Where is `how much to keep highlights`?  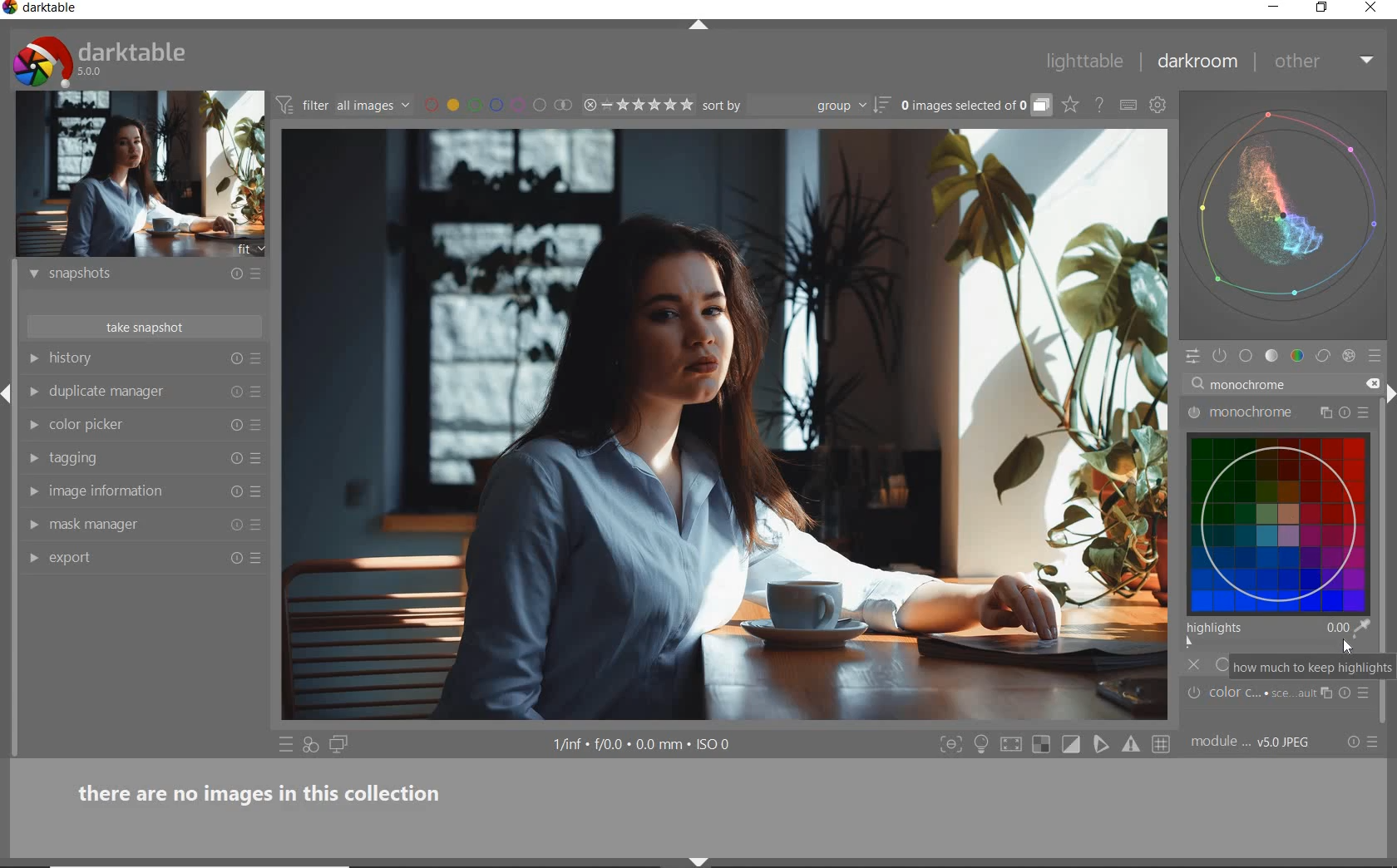 how much to keep highlights is located at coordinates (1302, 665).